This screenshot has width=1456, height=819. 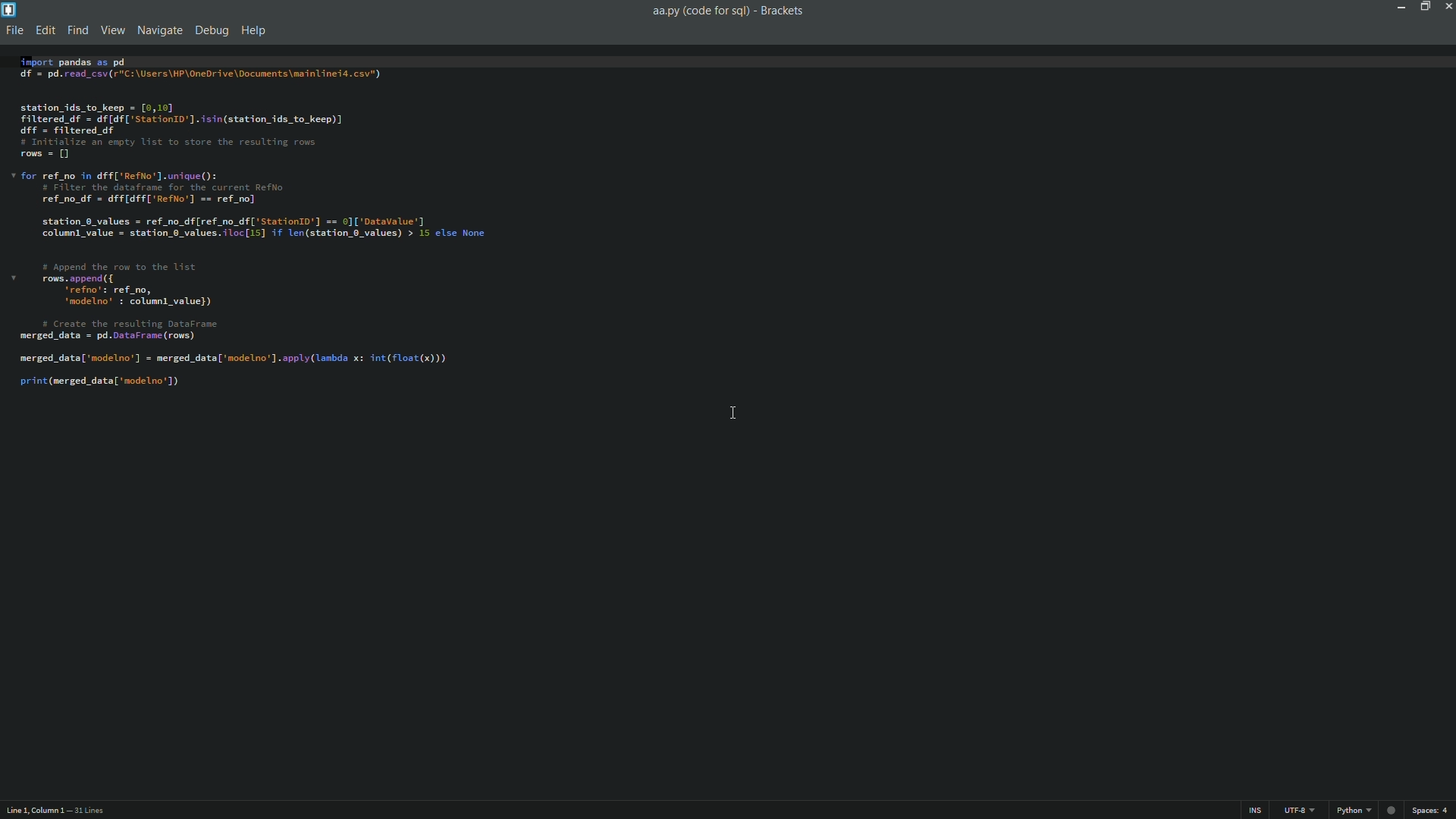 I want to click on python, so click(x=1349, y=811).